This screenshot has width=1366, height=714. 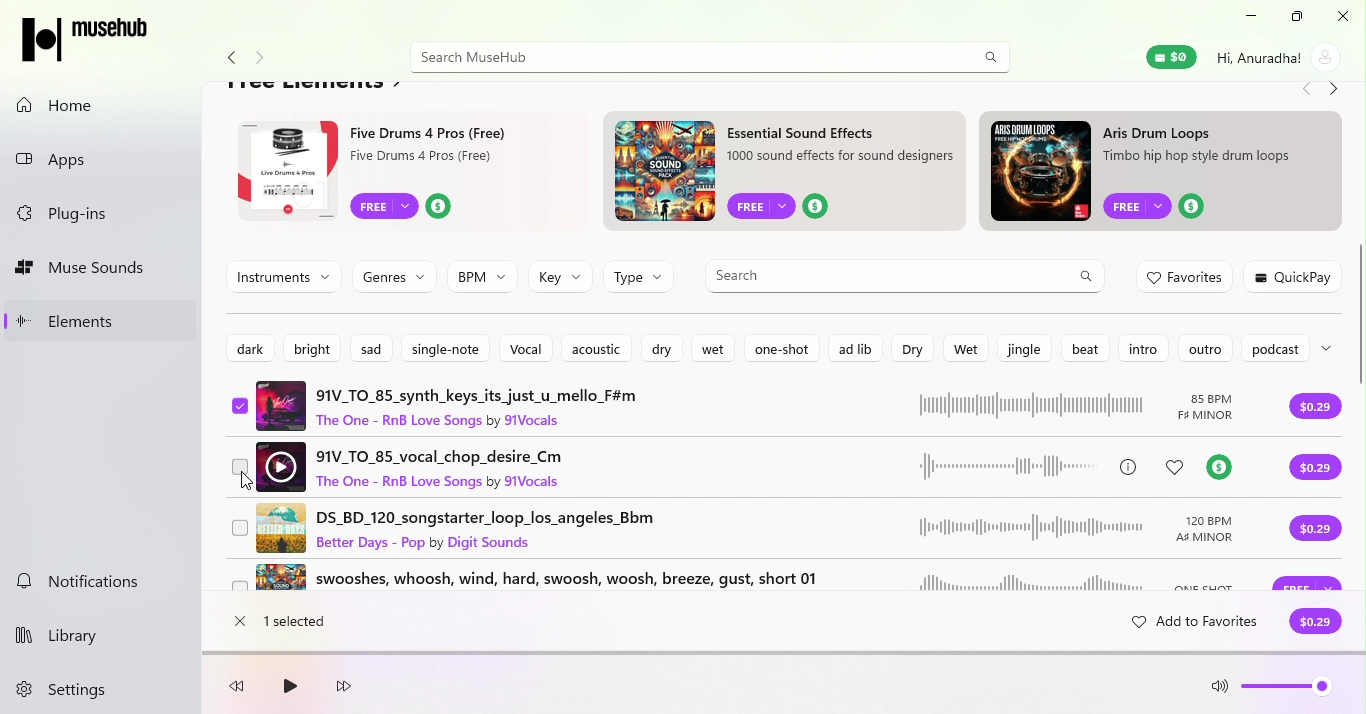 What do you see at coordinates (248, 346) in the screenshot?
I see `Dark` at bounding box center [248, 346].